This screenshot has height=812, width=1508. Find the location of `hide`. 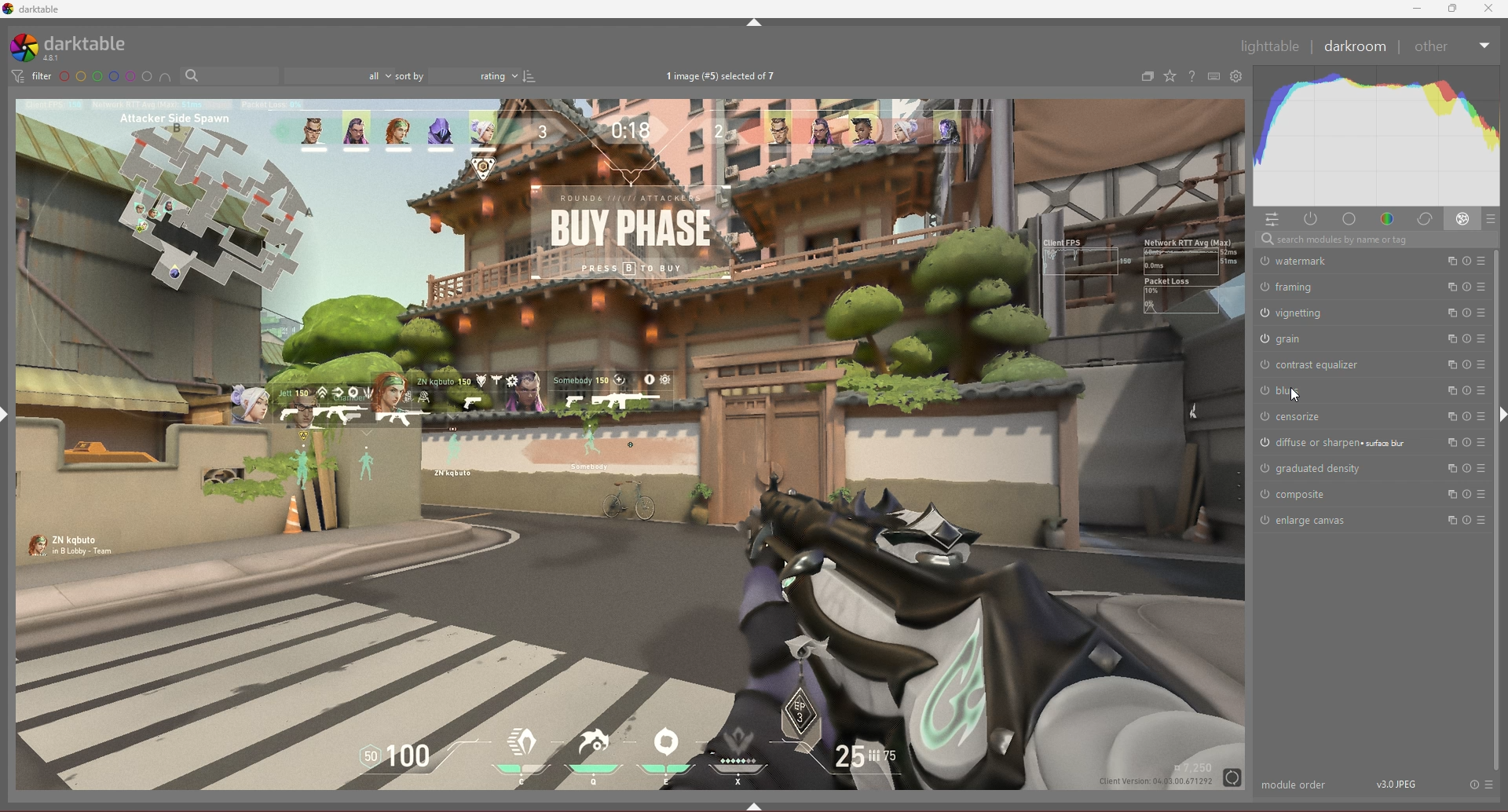

hide is located at coordinates (755, 23).